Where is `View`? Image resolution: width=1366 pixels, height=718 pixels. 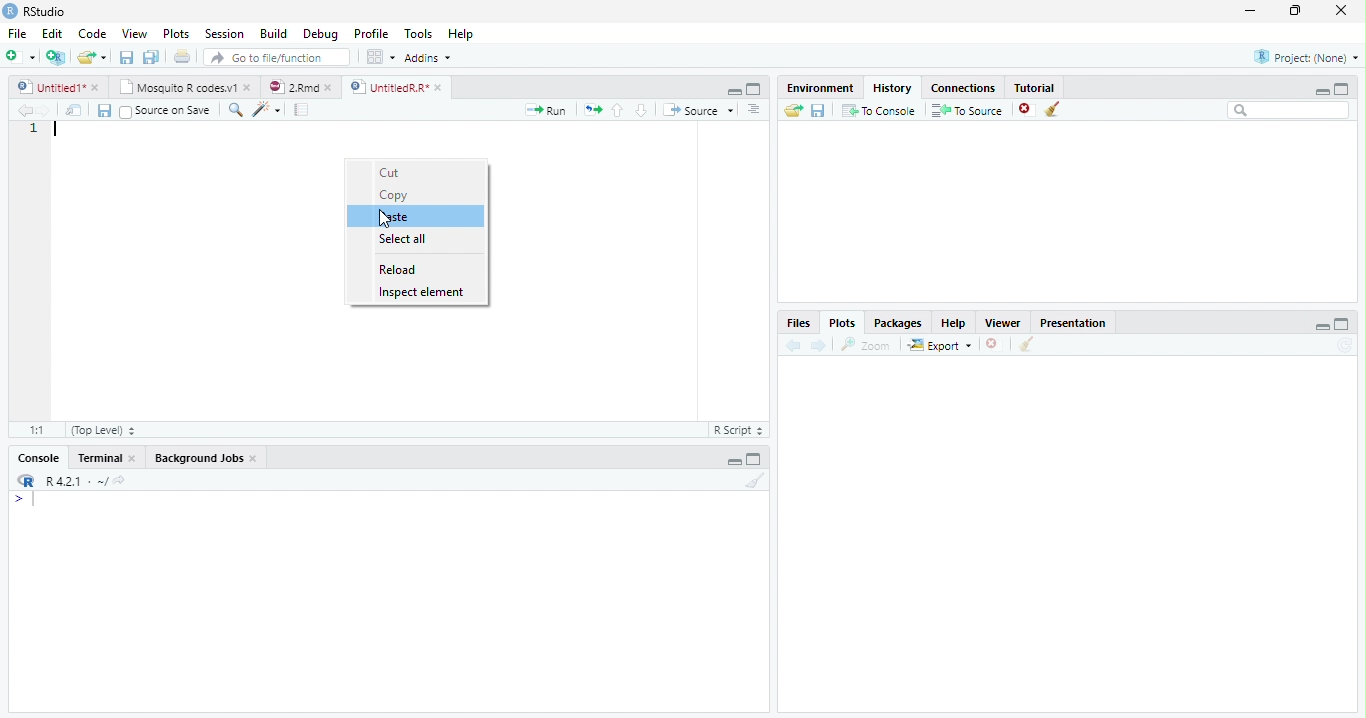
View is located at coordinates (133, 34).